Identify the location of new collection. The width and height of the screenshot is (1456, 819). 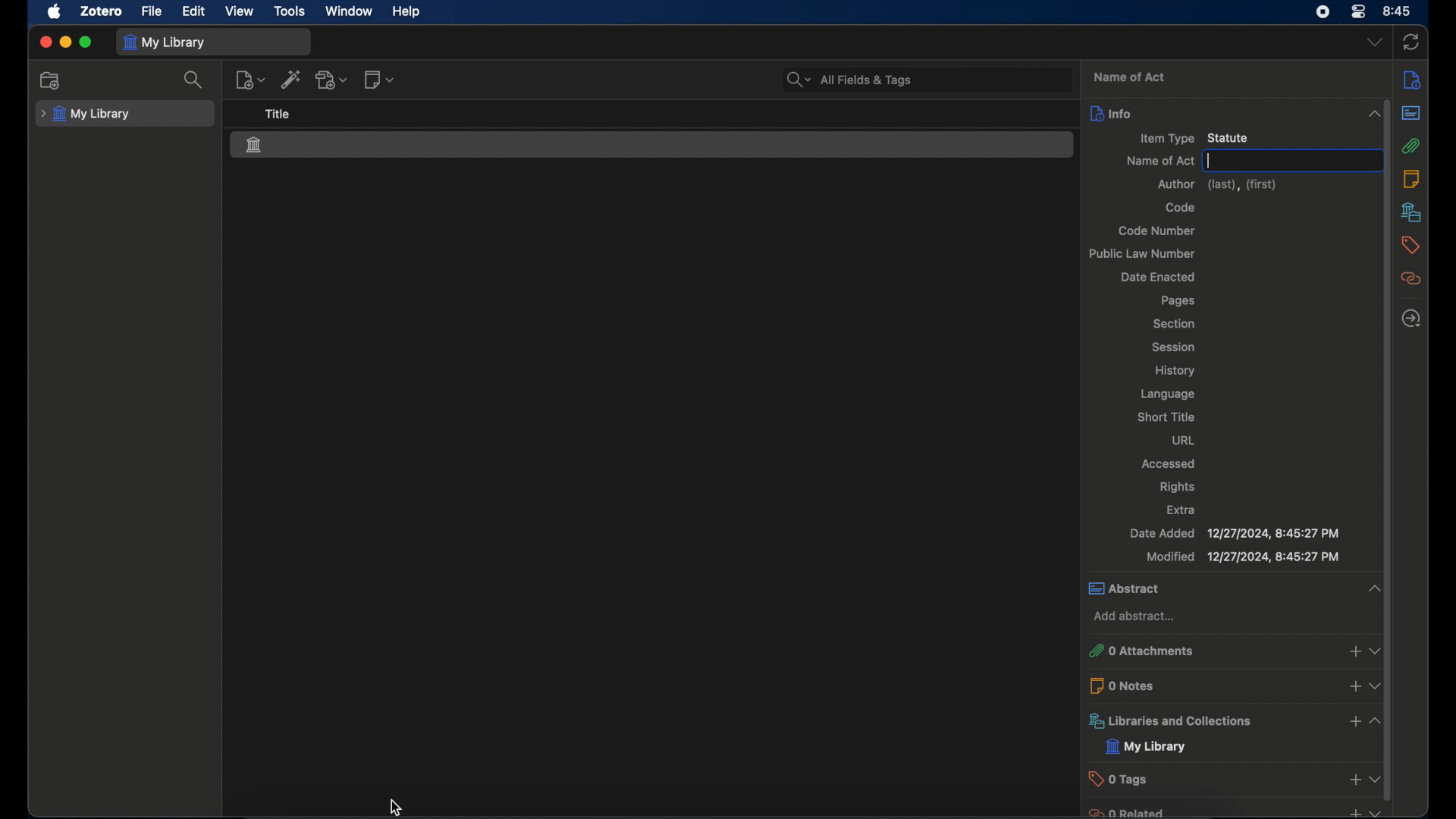
(51, 80).